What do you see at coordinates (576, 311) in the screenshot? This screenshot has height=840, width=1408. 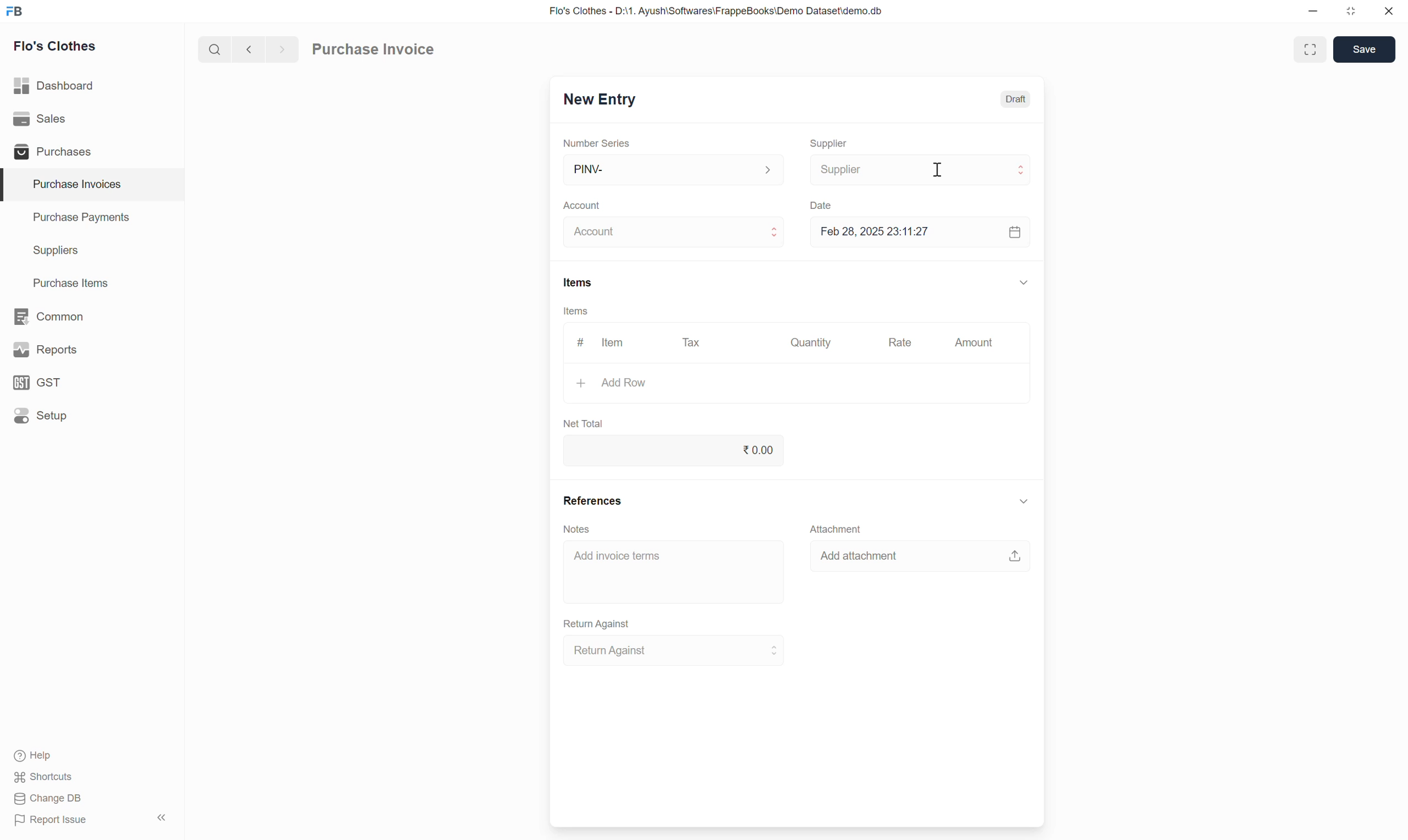 I see `Items` at bounding box center [576, 311].